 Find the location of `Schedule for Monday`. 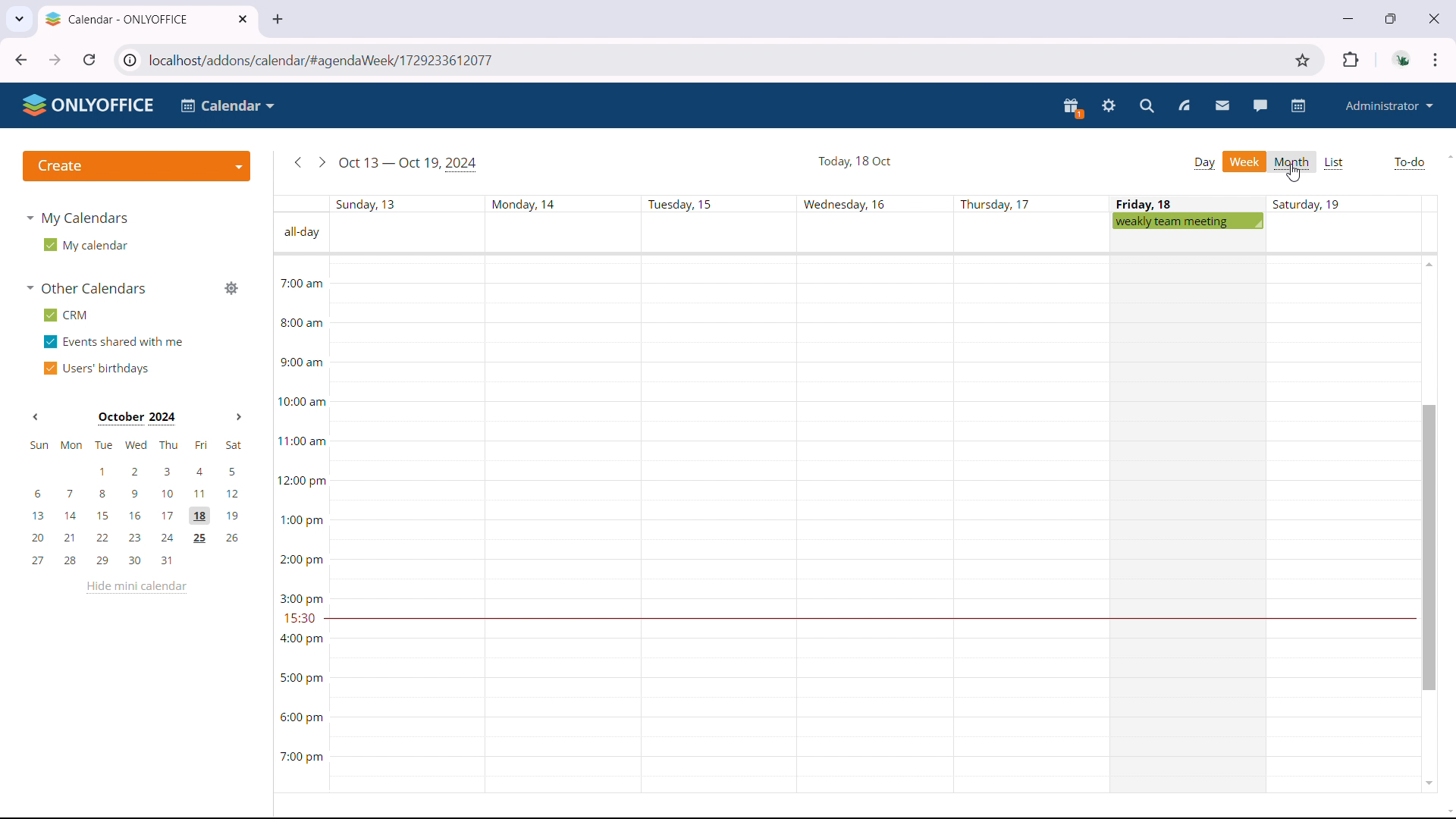

Schedule for Monday is located at coordinates (562, 526).